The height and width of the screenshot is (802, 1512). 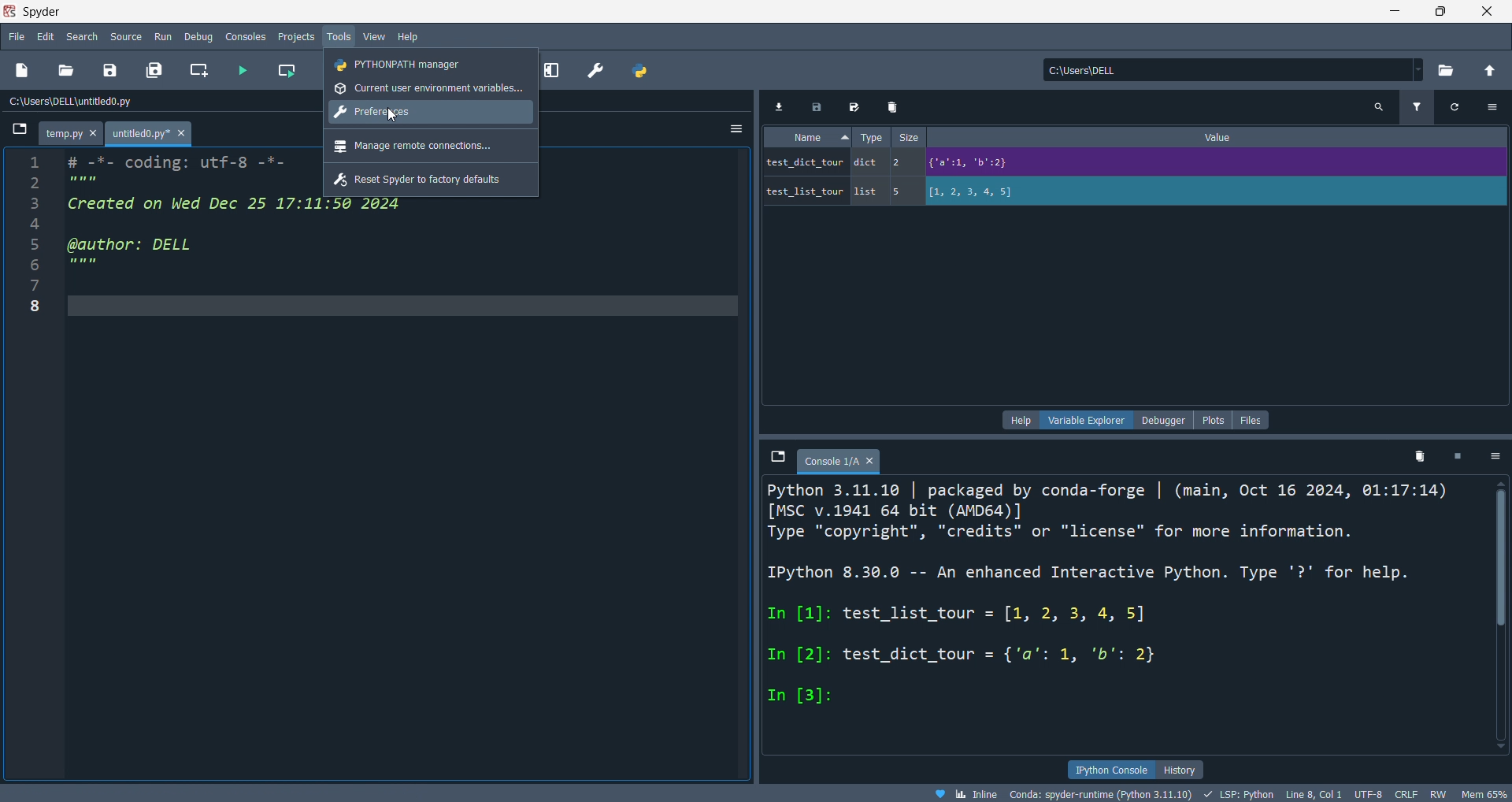 What do you see at coordinates (409, 36) in the screenshot?
I see `help` at bounding box center [409, 36].